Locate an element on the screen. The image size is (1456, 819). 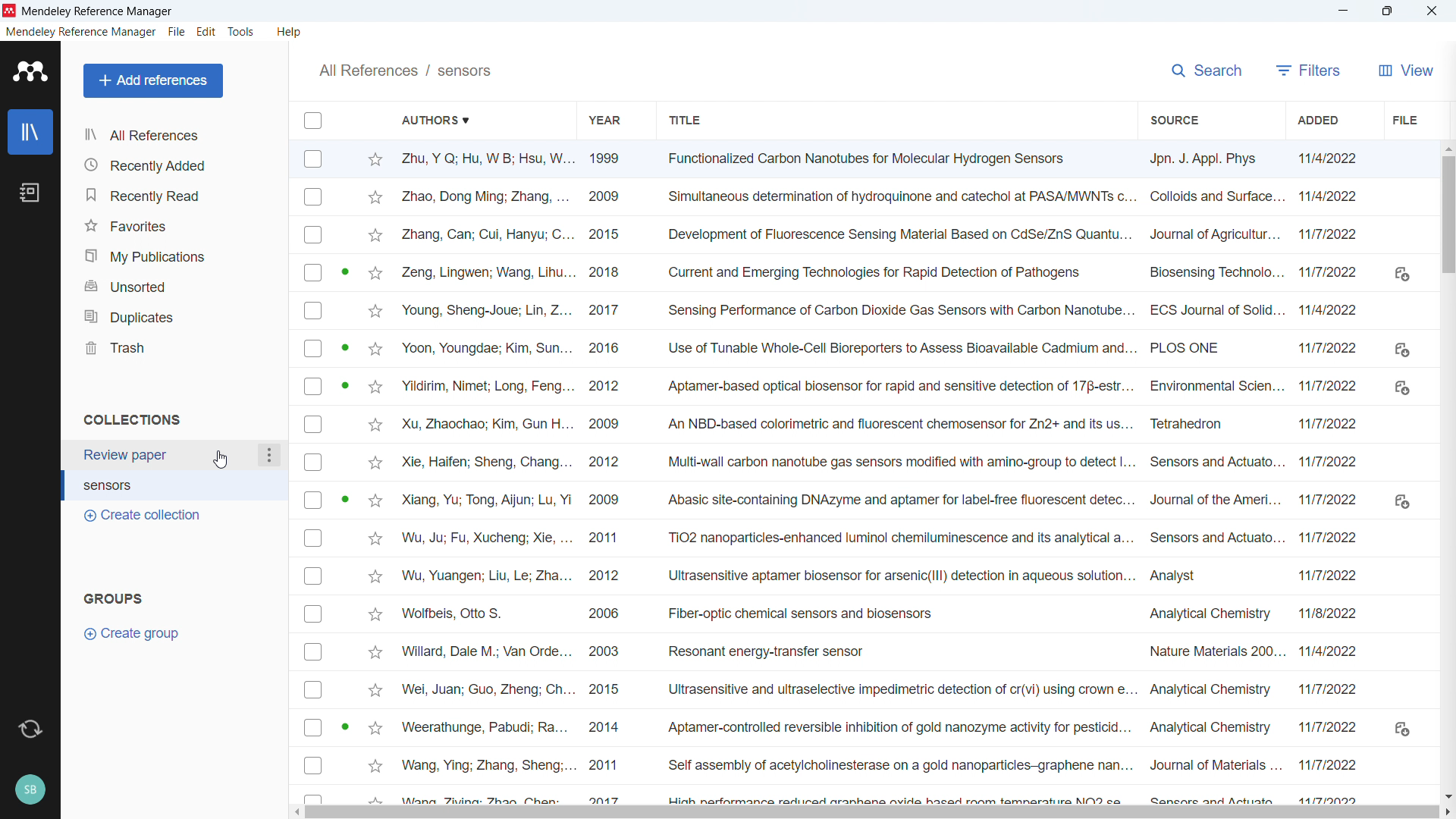
Recently read  is located at coordinates (177, 196).